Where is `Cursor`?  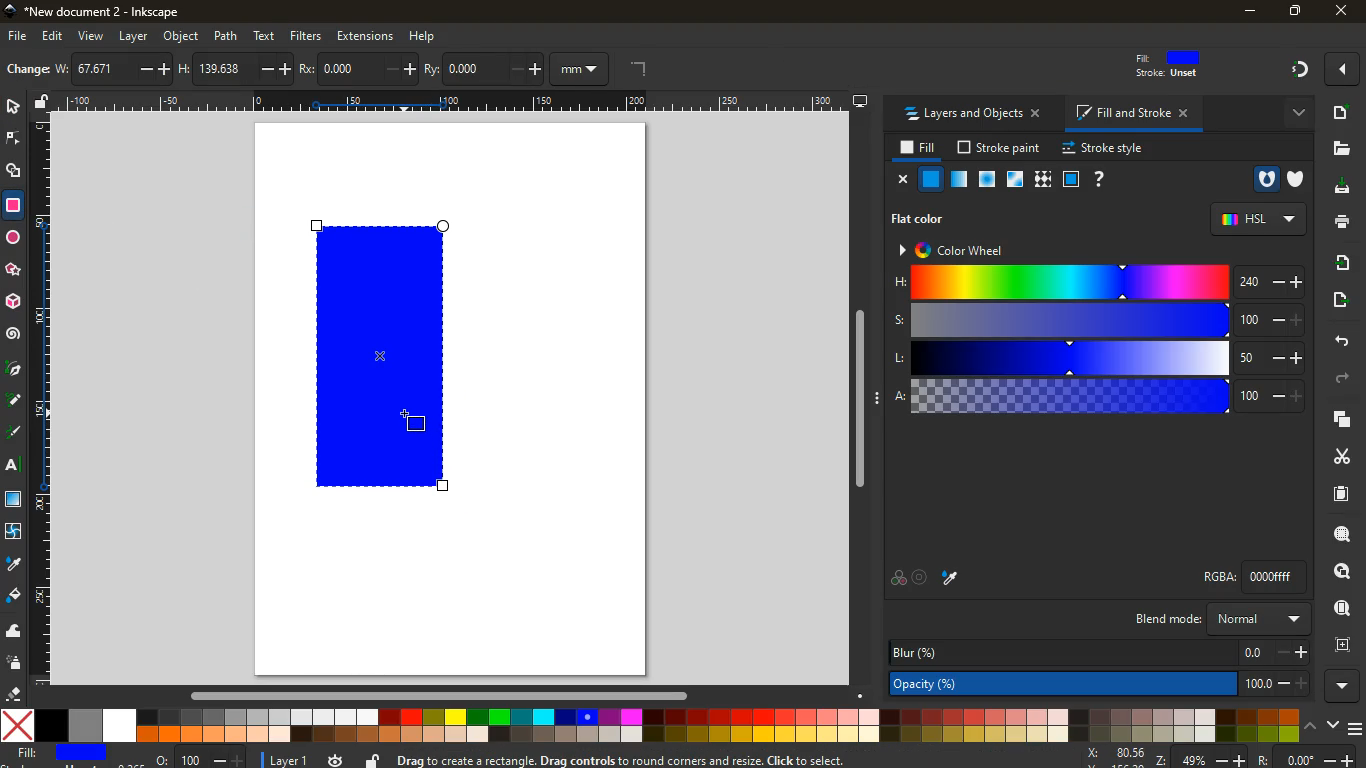
Cursor is located at coordinates (412, 420).